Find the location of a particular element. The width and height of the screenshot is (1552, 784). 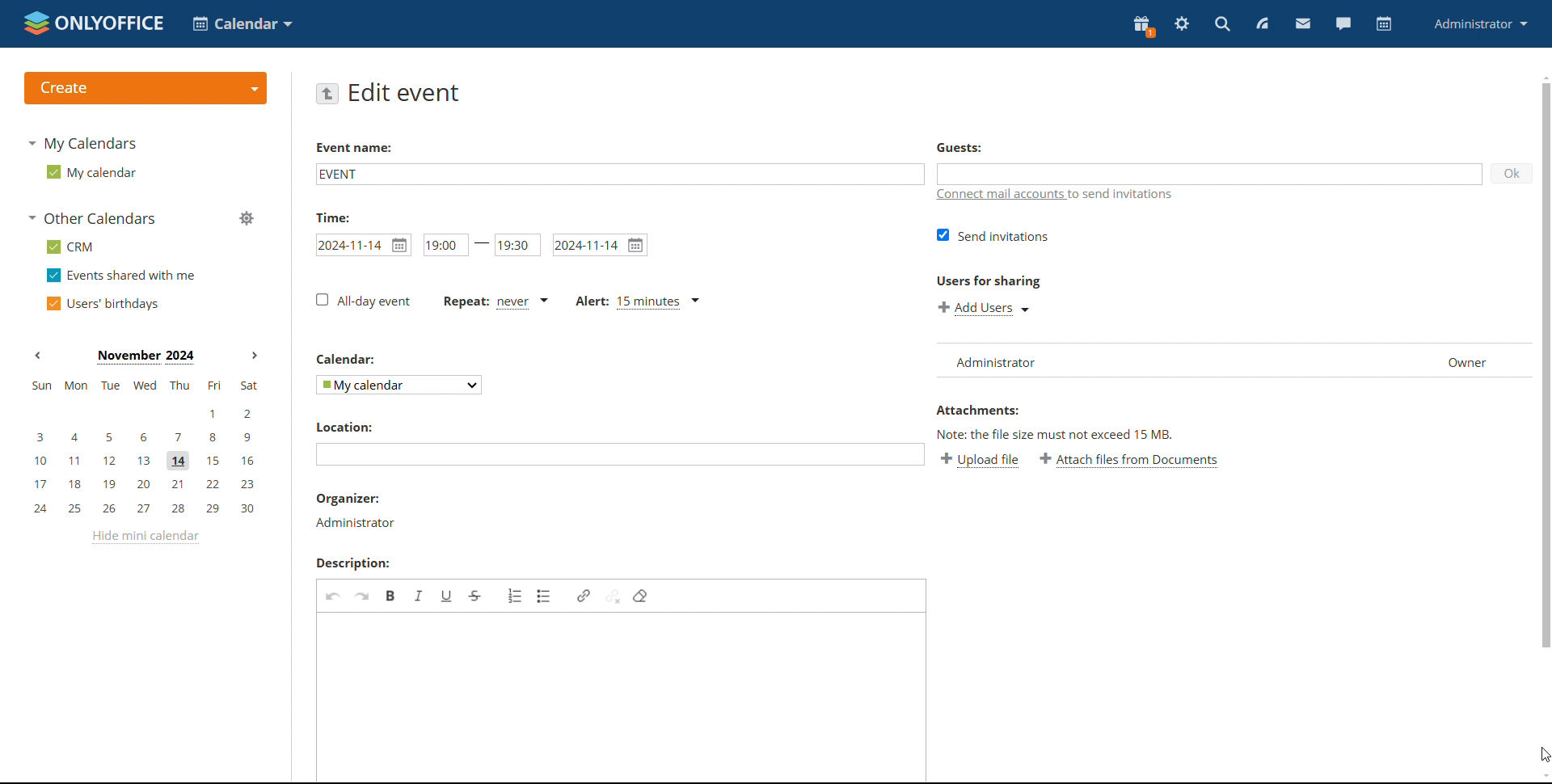

add event name is located at coordinates (618, 173).